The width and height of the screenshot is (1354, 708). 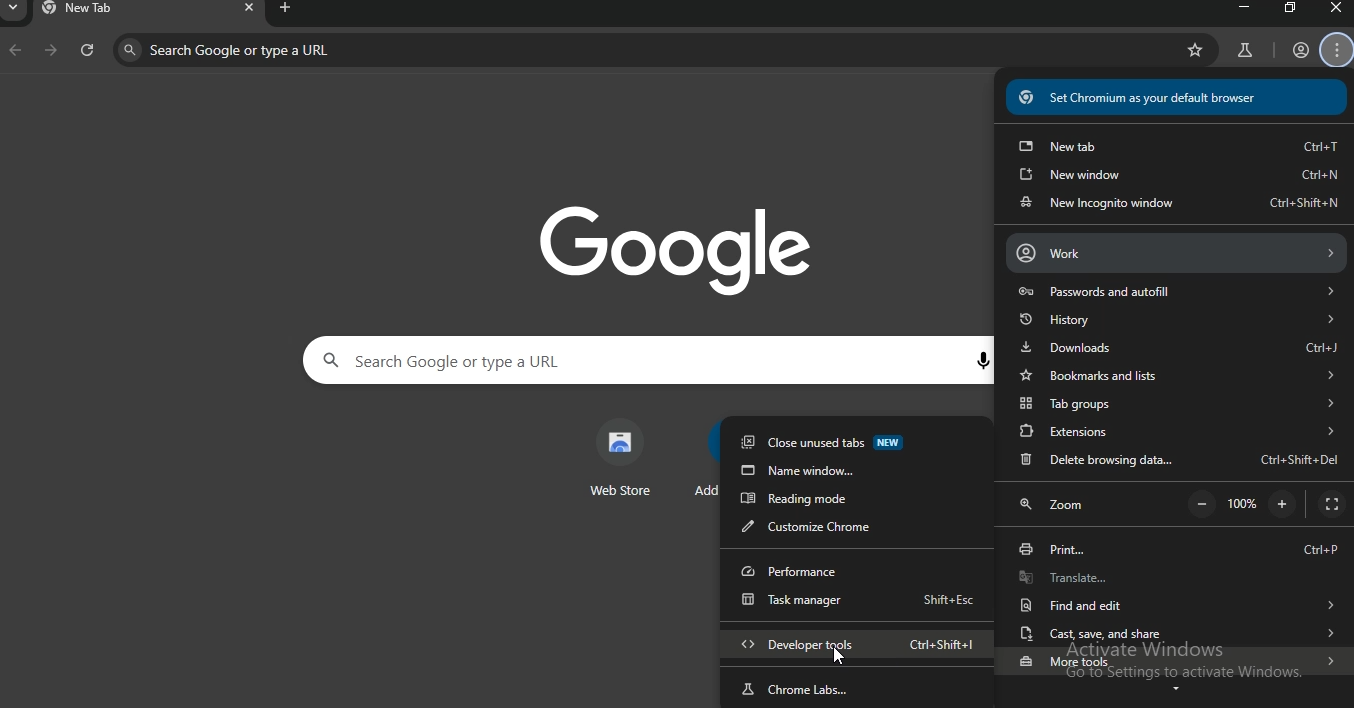 What do you see at coordinates (1174, 635) in the screenshot?
I see `cast save and share` at bounding box center [1174, 635].